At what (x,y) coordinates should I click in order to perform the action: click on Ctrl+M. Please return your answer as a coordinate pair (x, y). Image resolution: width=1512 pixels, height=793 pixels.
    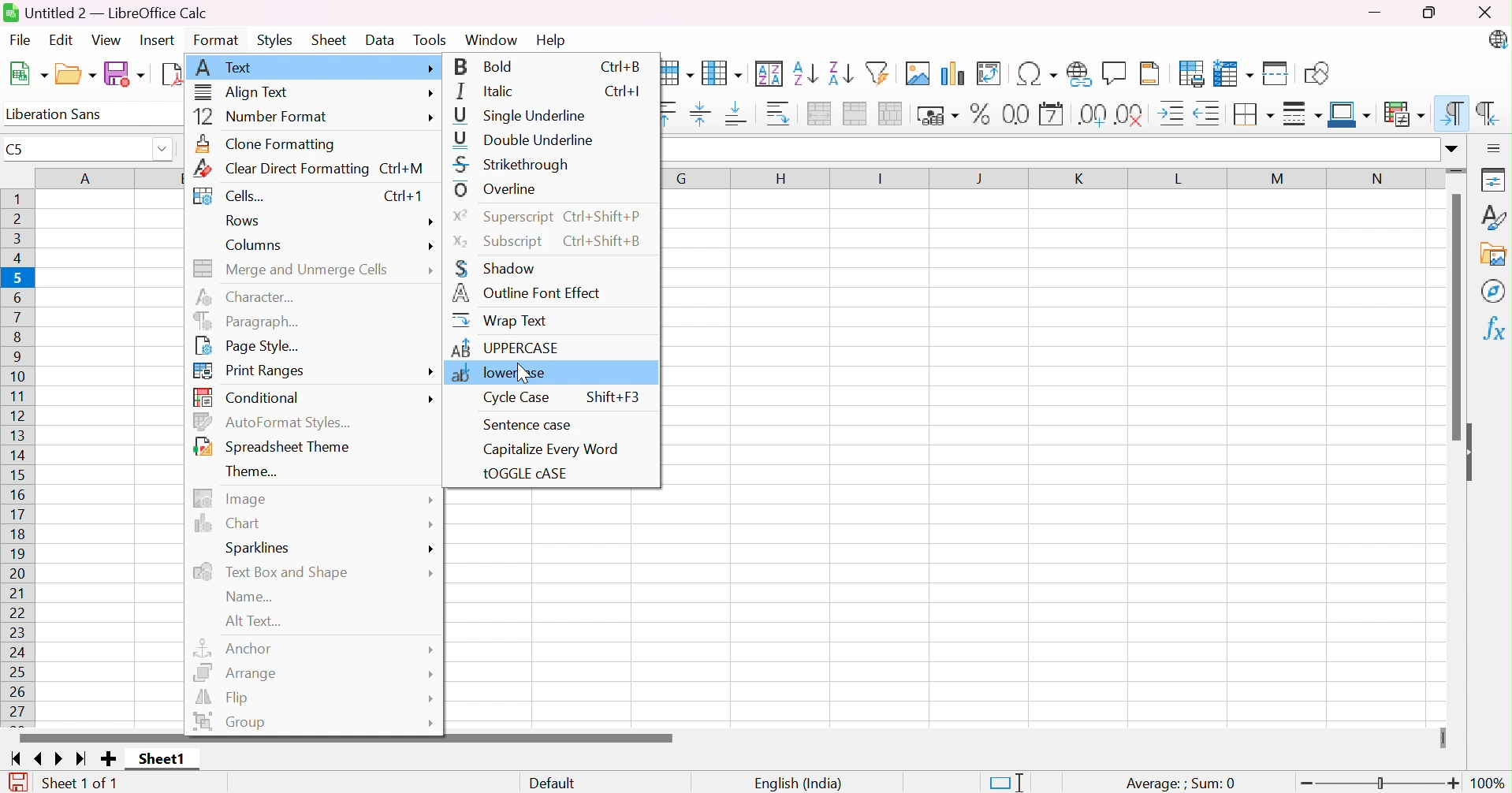
    Looking at the image, I should click on (406, 166).